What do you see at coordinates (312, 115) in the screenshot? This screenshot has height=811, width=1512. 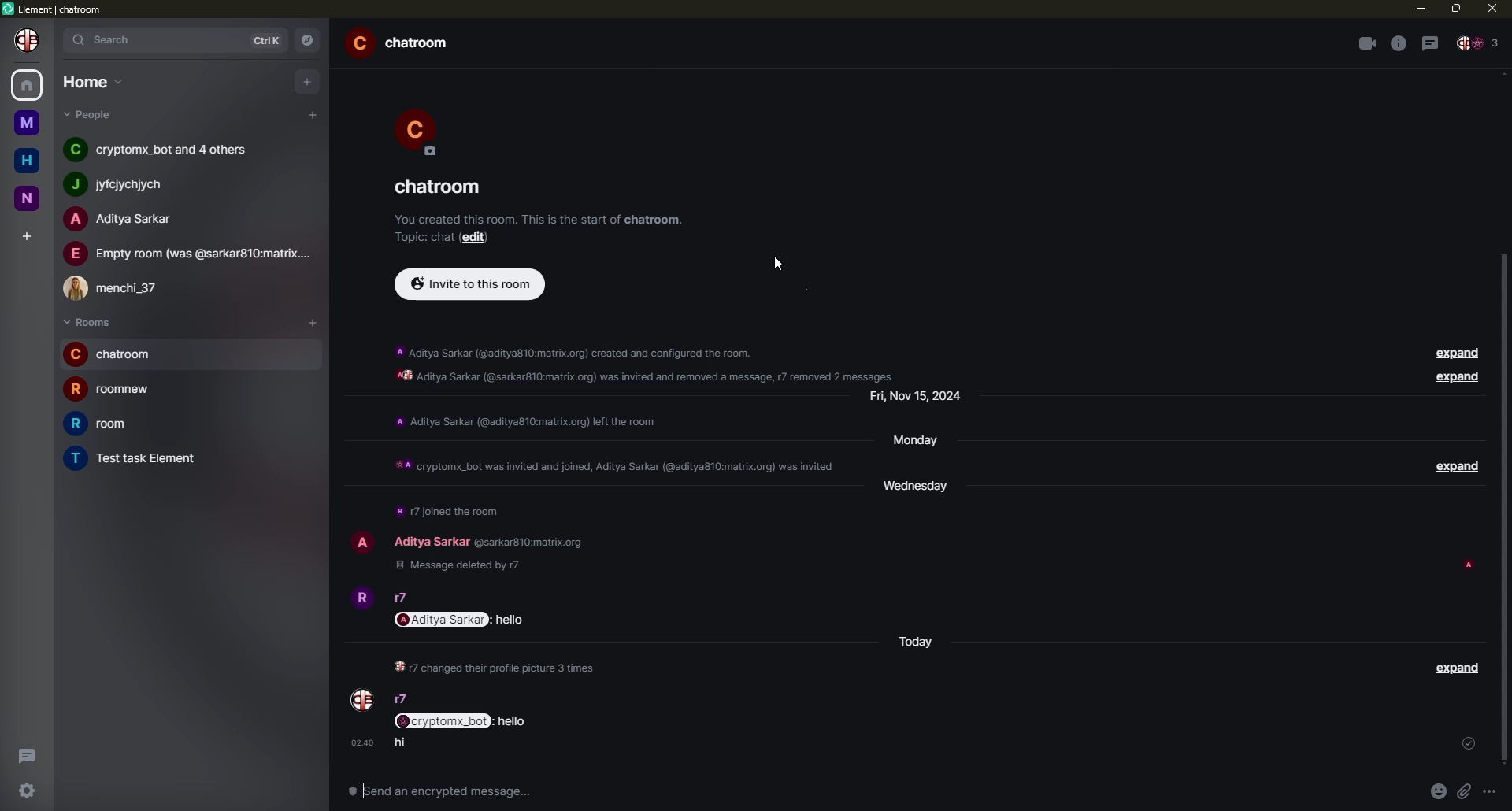 I see `add` at bounding box center [312, 115].